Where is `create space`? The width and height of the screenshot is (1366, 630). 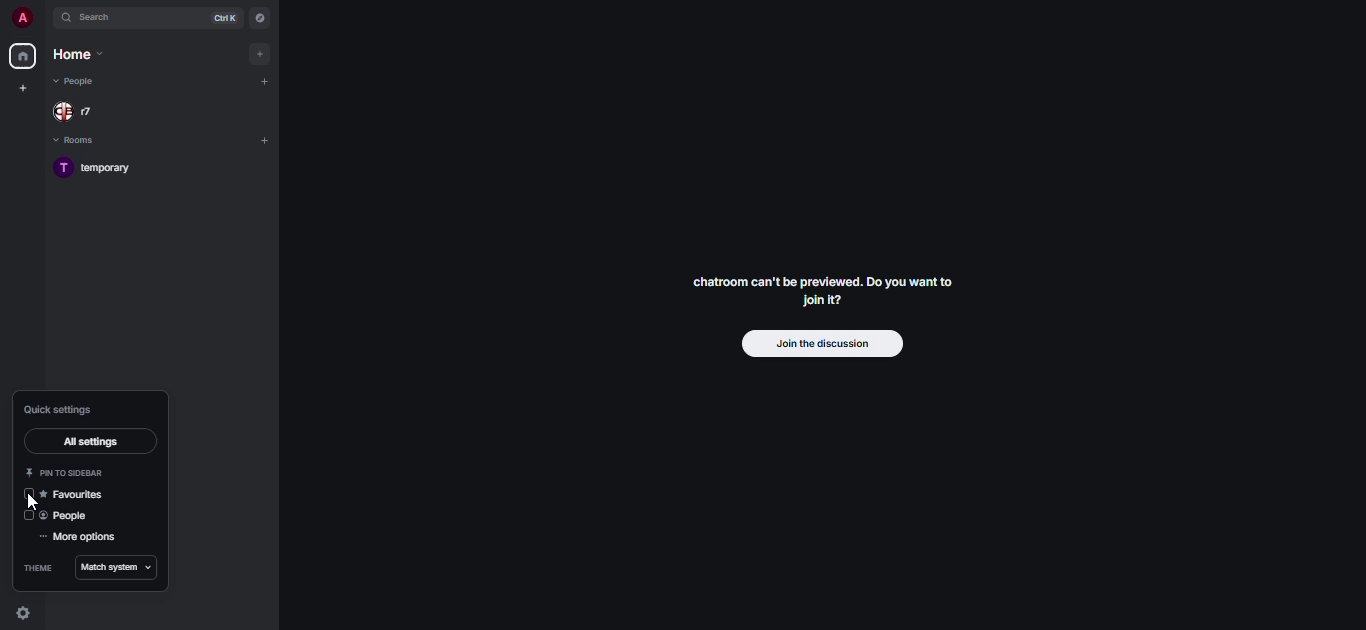 create space is located at coordinates (25, 87).